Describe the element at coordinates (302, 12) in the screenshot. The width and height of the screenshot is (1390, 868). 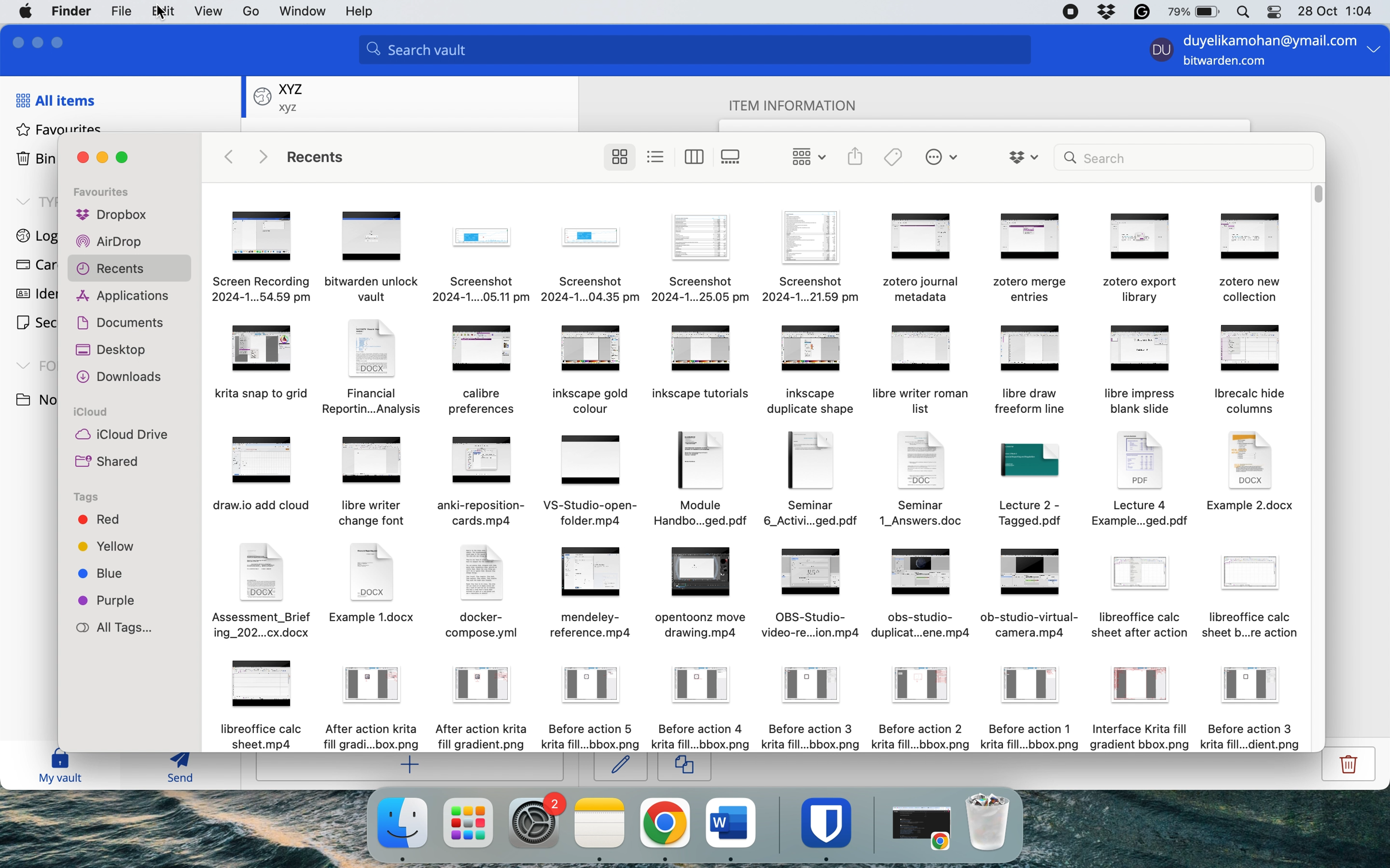
I see `window` at that location.